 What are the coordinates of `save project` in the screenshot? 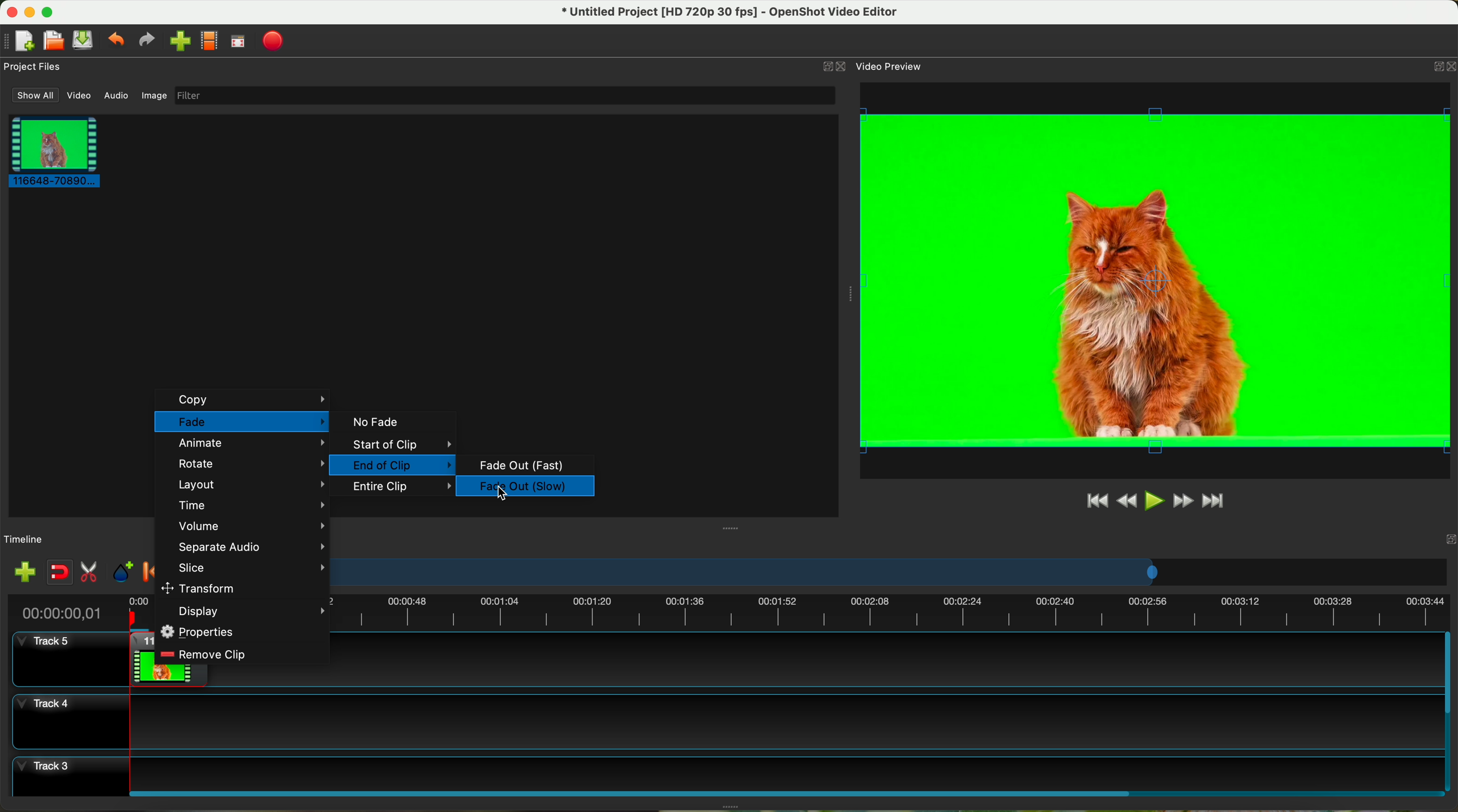 It's located at (84, 40).